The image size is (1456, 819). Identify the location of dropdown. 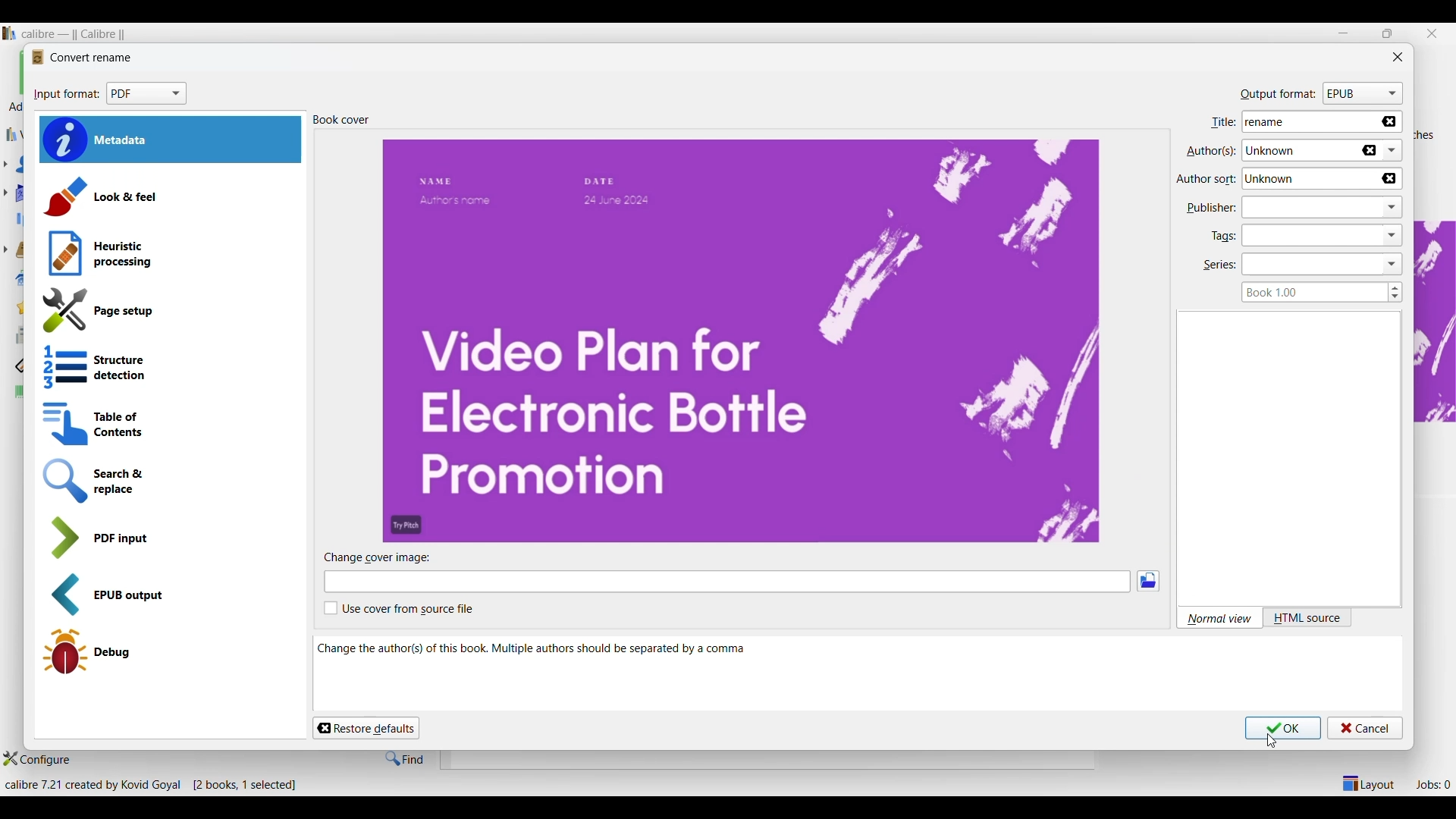
(1392, 208).